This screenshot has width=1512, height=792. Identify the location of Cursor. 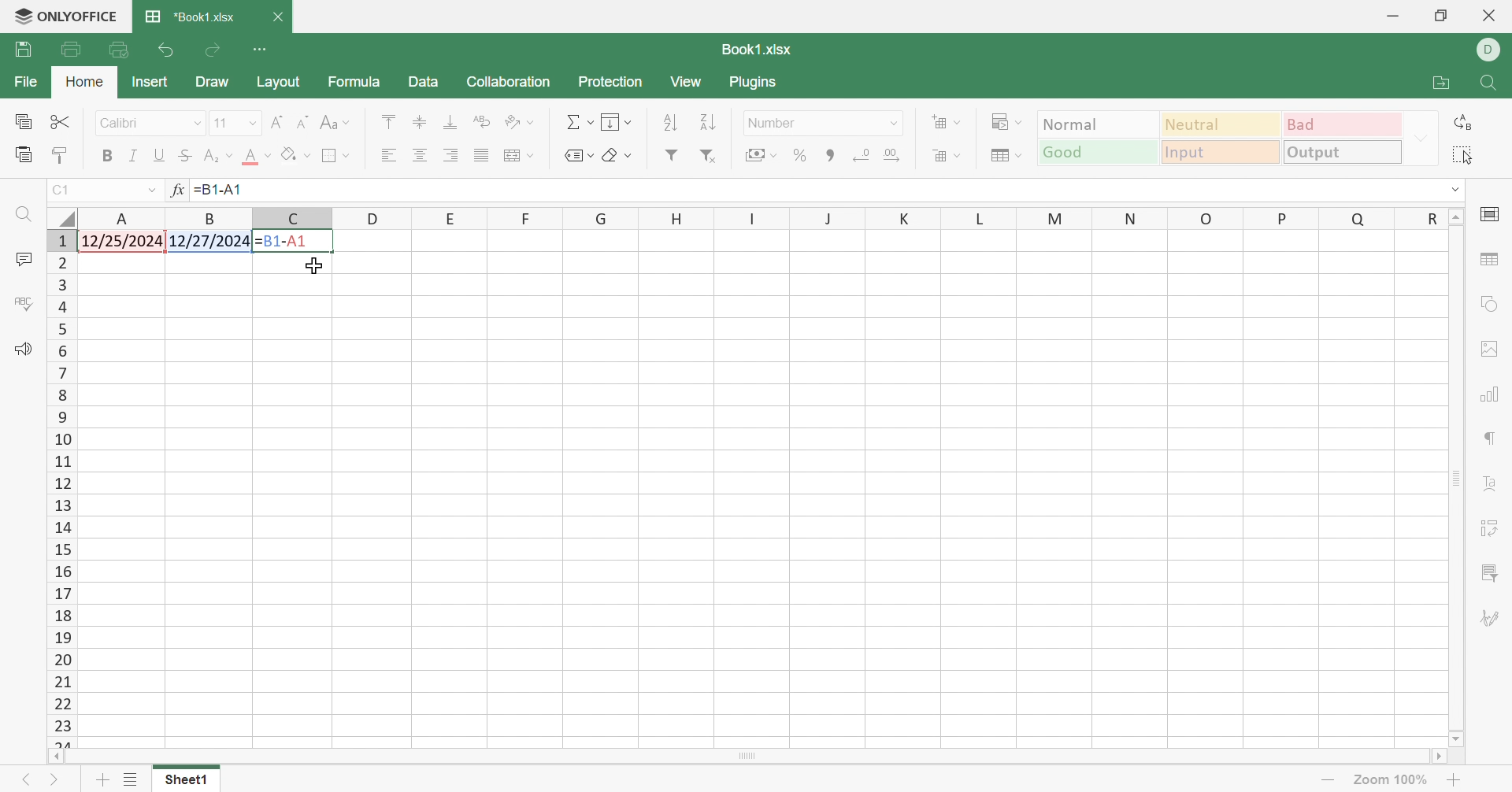
(317, 266).